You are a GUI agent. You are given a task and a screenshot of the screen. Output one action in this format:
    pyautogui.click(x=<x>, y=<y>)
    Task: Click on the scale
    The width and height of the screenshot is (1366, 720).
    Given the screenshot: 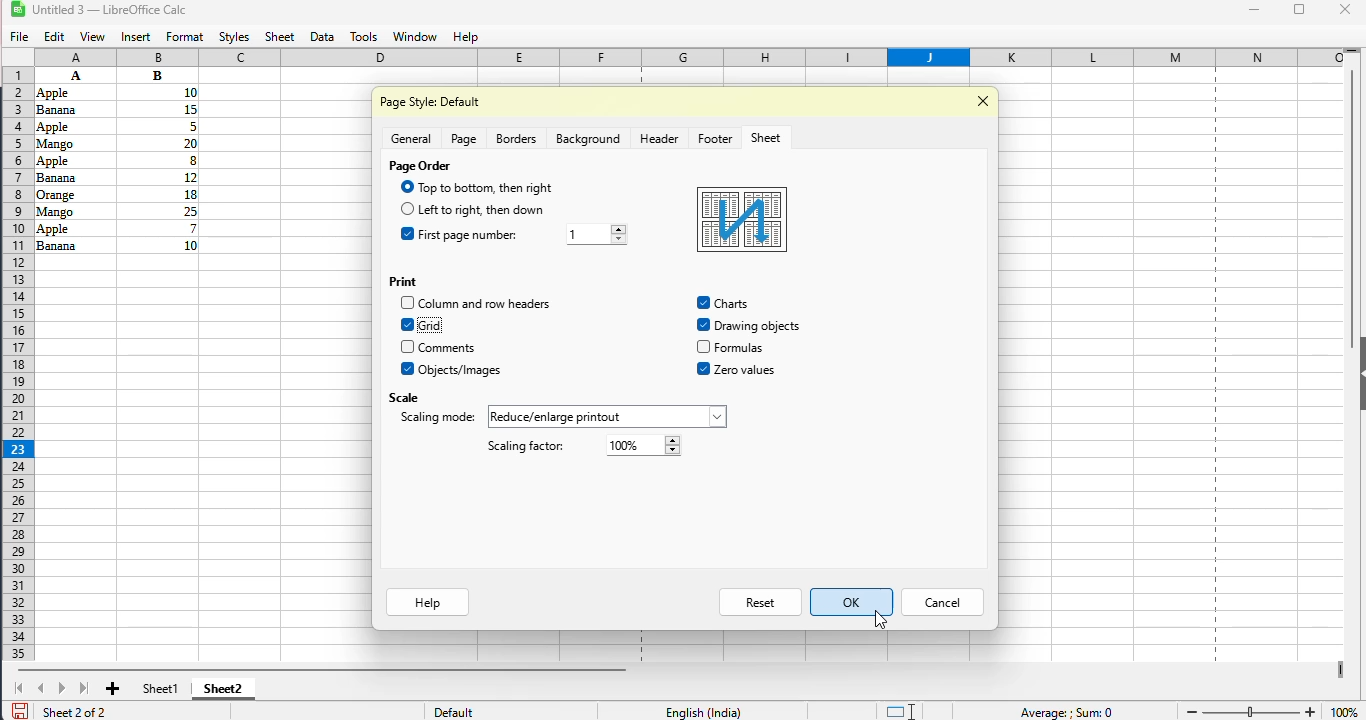 What is the action you would take?
    pyautogui.click(x=403, y=396)
    